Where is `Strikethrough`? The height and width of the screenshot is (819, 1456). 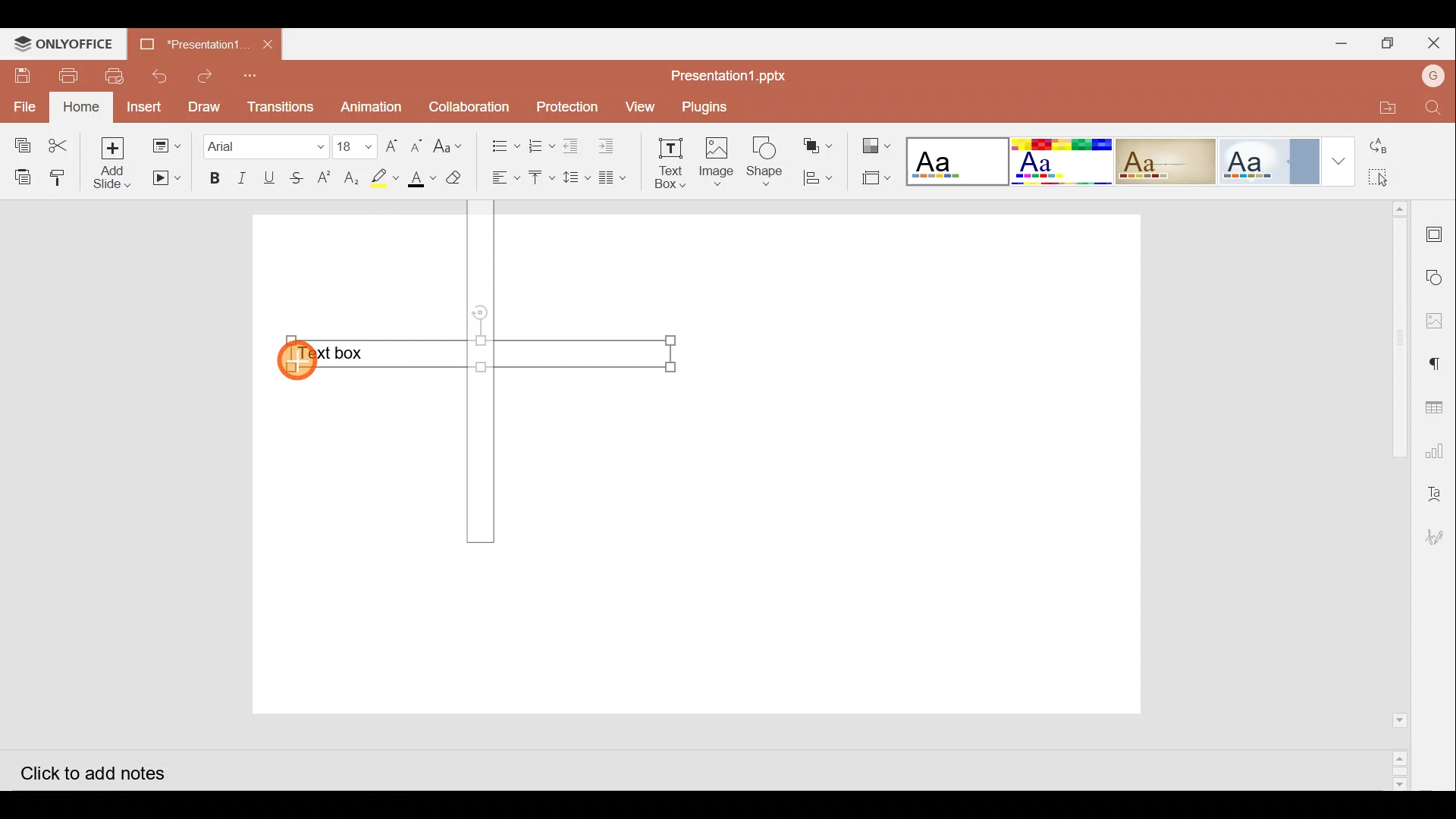
Strikethrough is located at coordinates (294, 177).